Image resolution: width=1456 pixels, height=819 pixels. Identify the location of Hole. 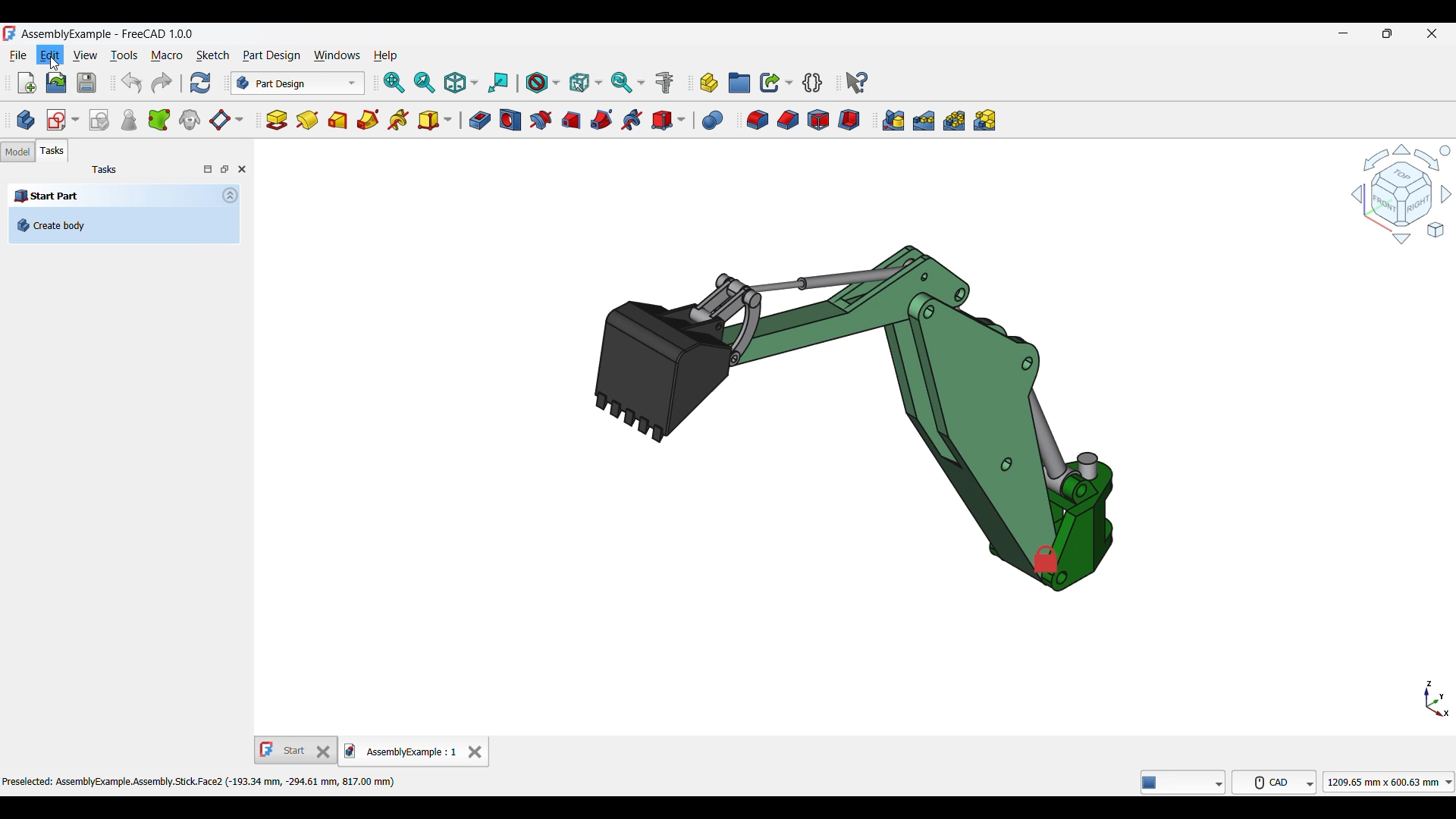
(510, 120).